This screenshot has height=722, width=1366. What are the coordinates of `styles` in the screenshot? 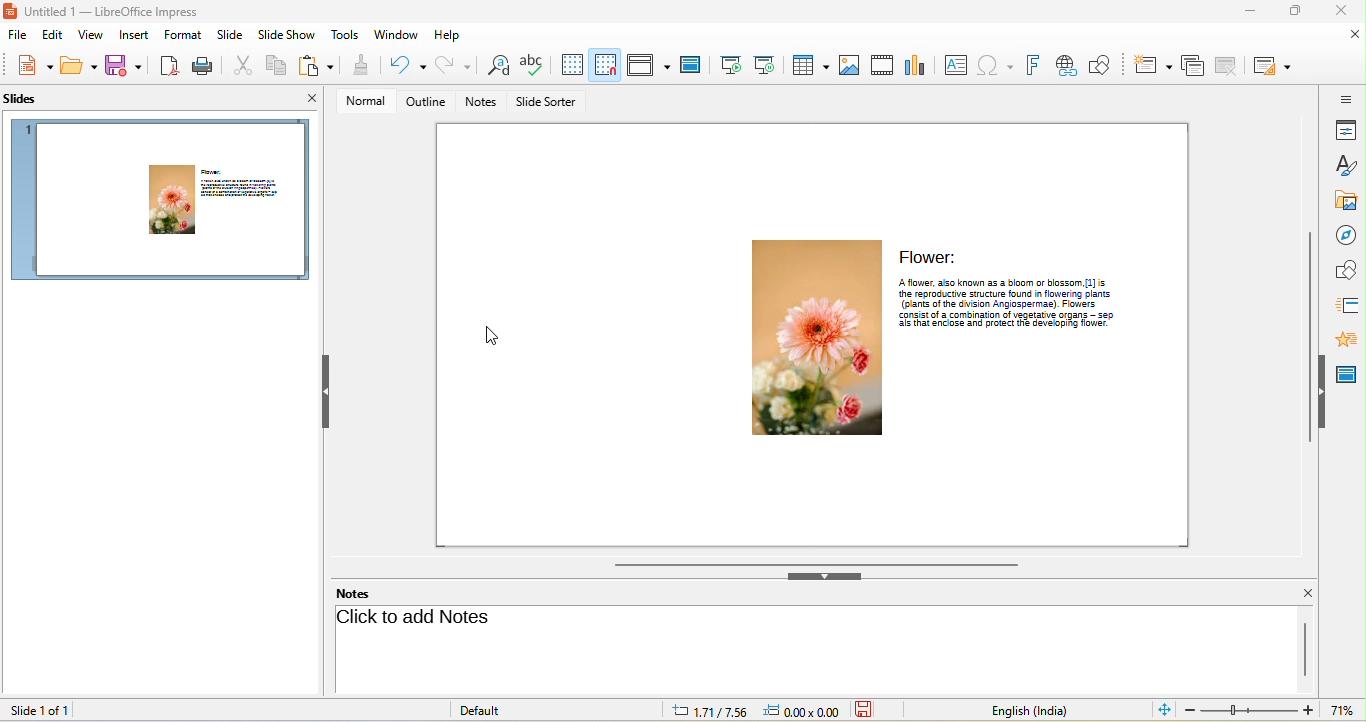 It's located at (1347, 165).